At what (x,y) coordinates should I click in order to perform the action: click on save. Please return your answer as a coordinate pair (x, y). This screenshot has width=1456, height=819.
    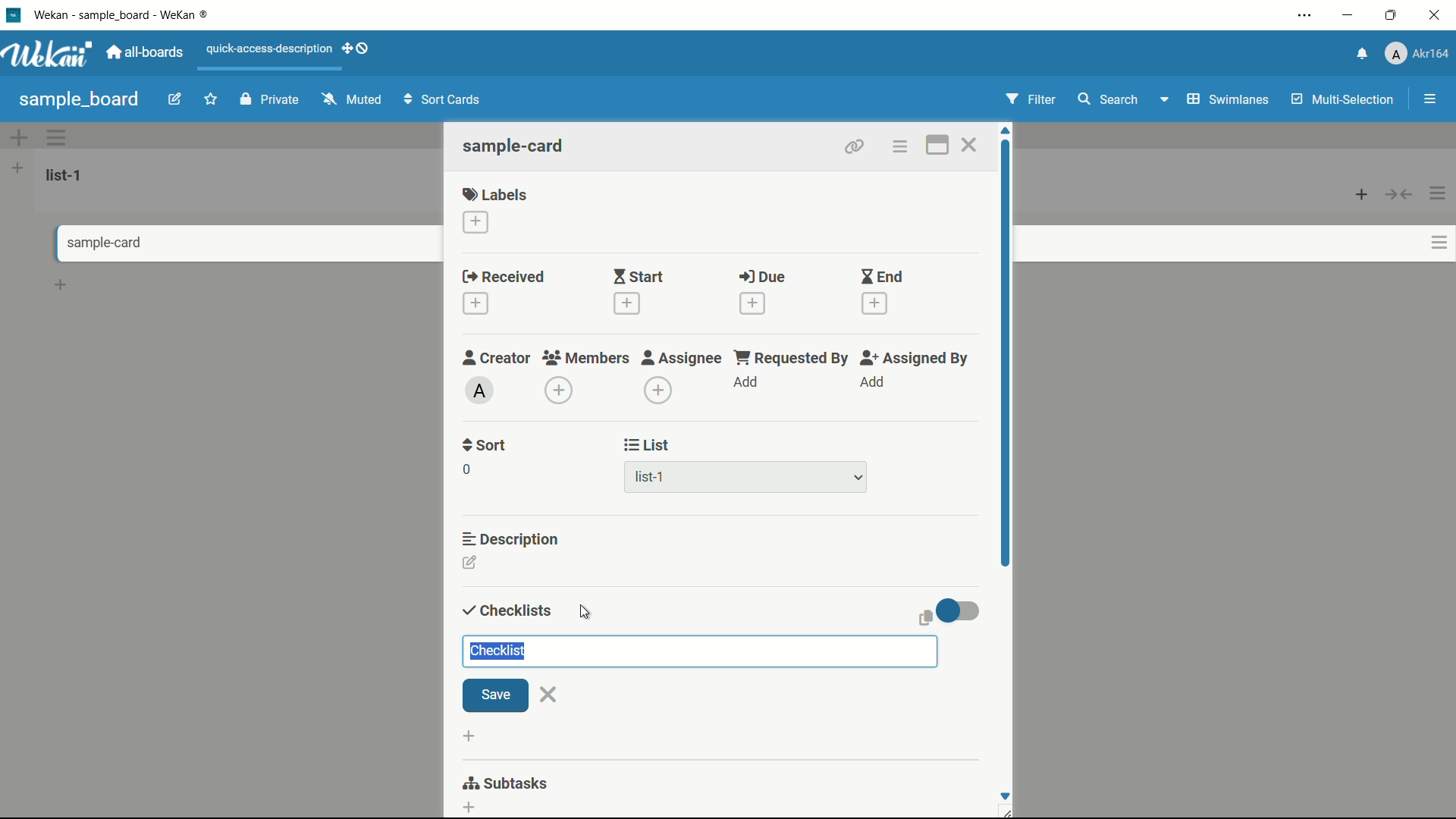
    Looking at the image, I should click on (495, 696).